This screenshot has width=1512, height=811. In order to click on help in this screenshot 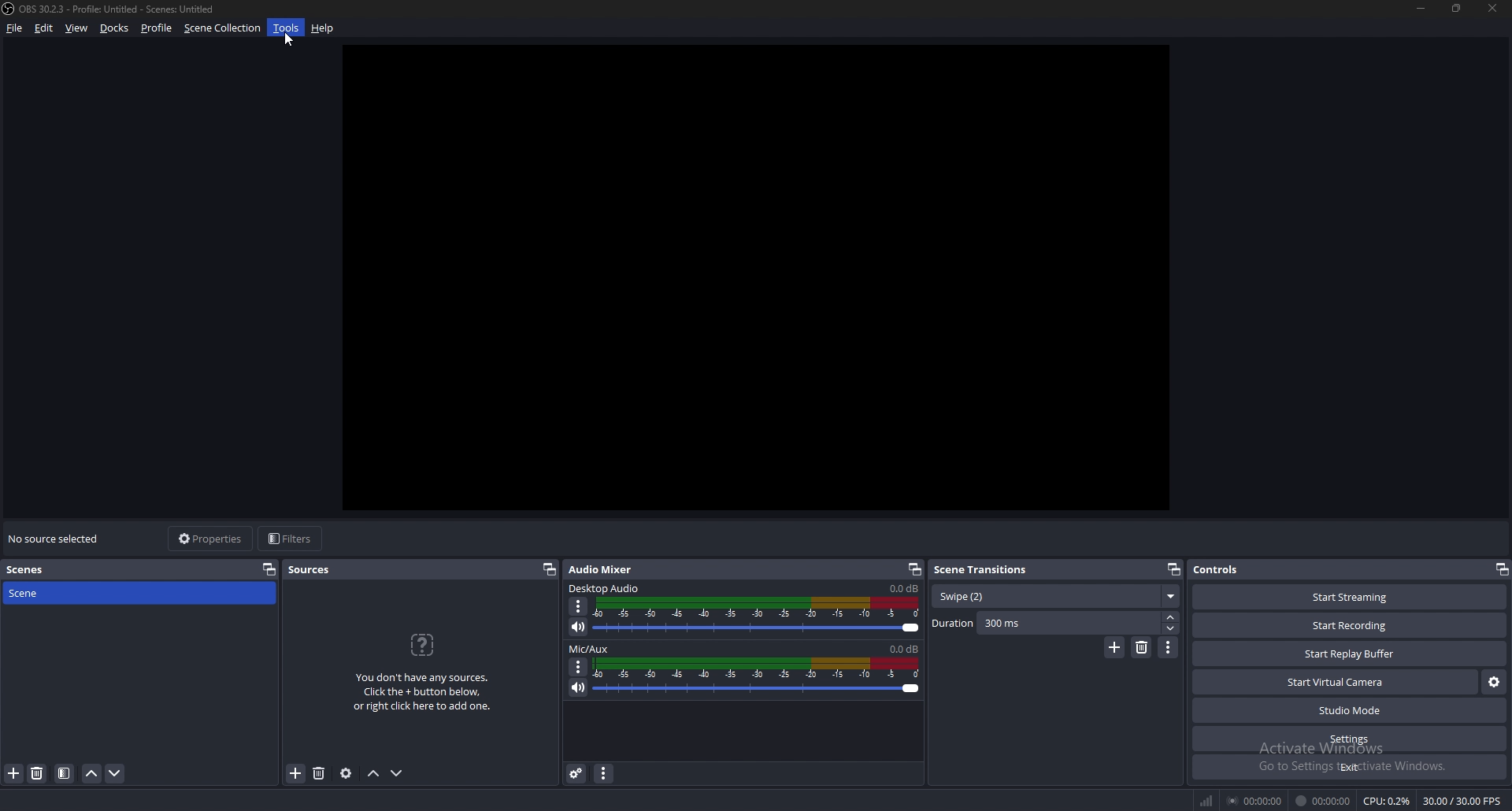, I will do `click(323, 29)`.